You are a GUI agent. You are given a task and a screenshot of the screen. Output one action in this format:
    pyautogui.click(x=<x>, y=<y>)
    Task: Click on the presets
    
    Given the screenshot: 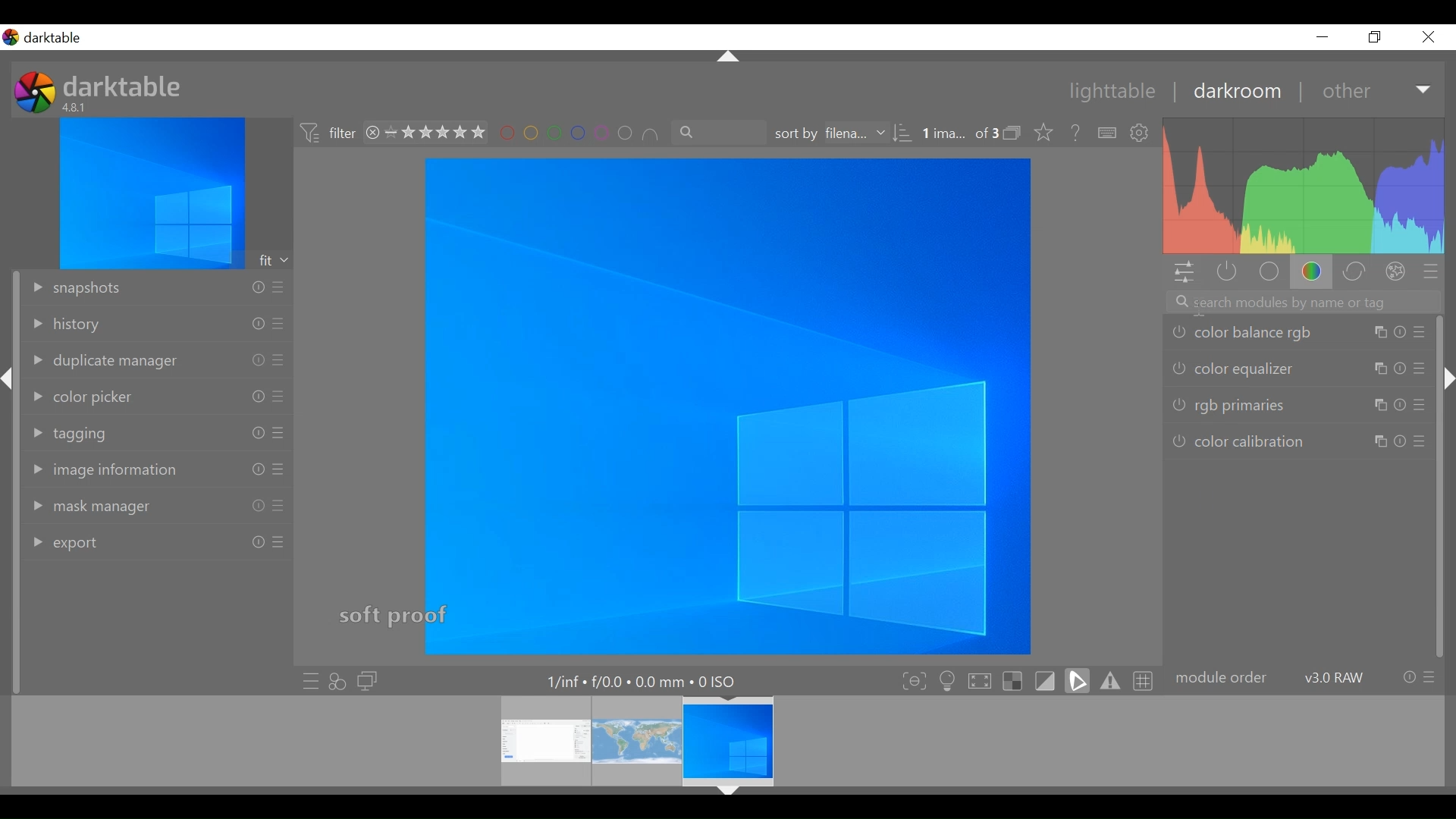 What is the action you would take?
    pyautogui.click(x=280, y=432)
    